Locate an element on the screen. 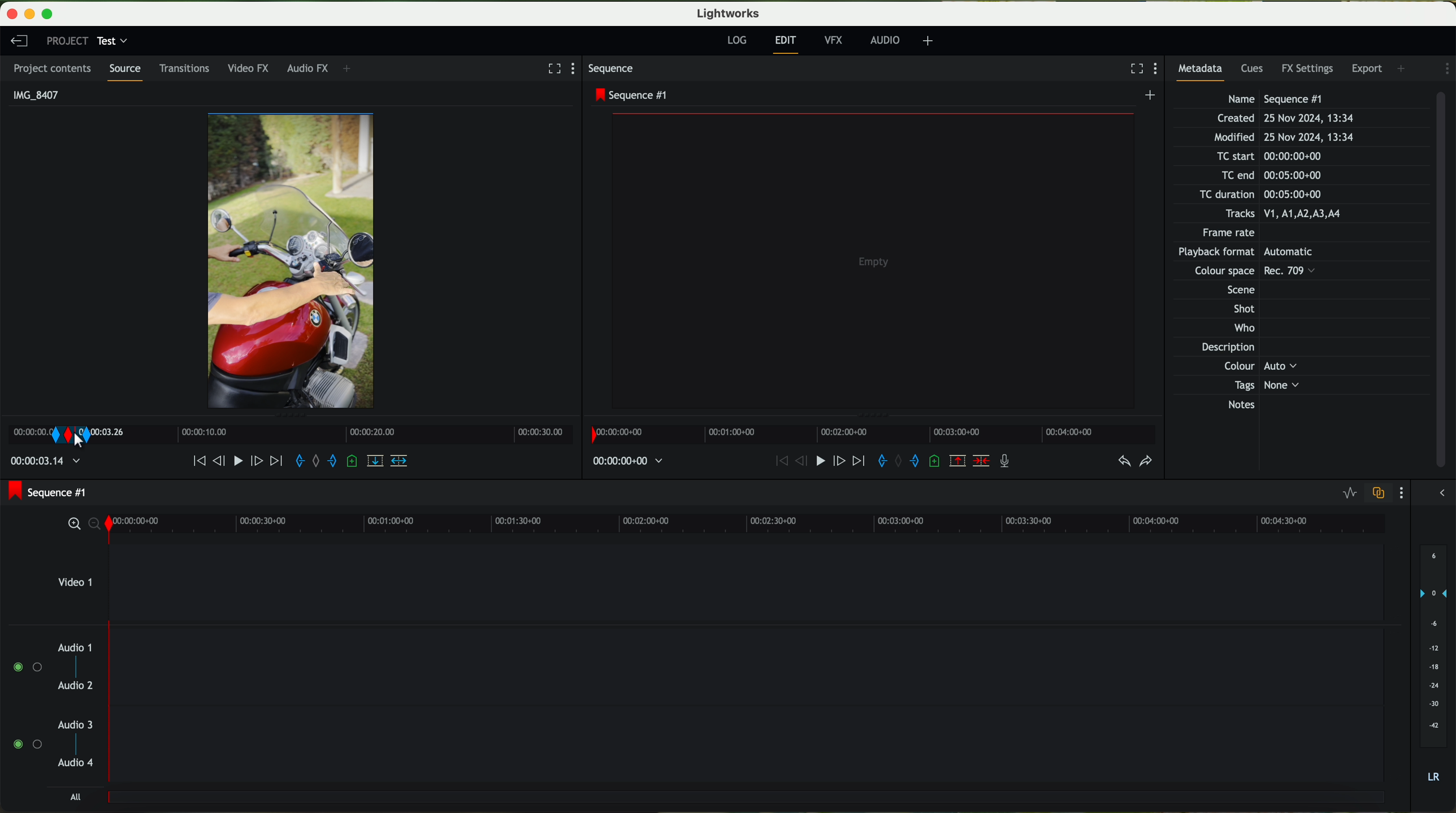 This screenshot has height=813, width=1456. sequence #1 is located at coordinates (49, 492).